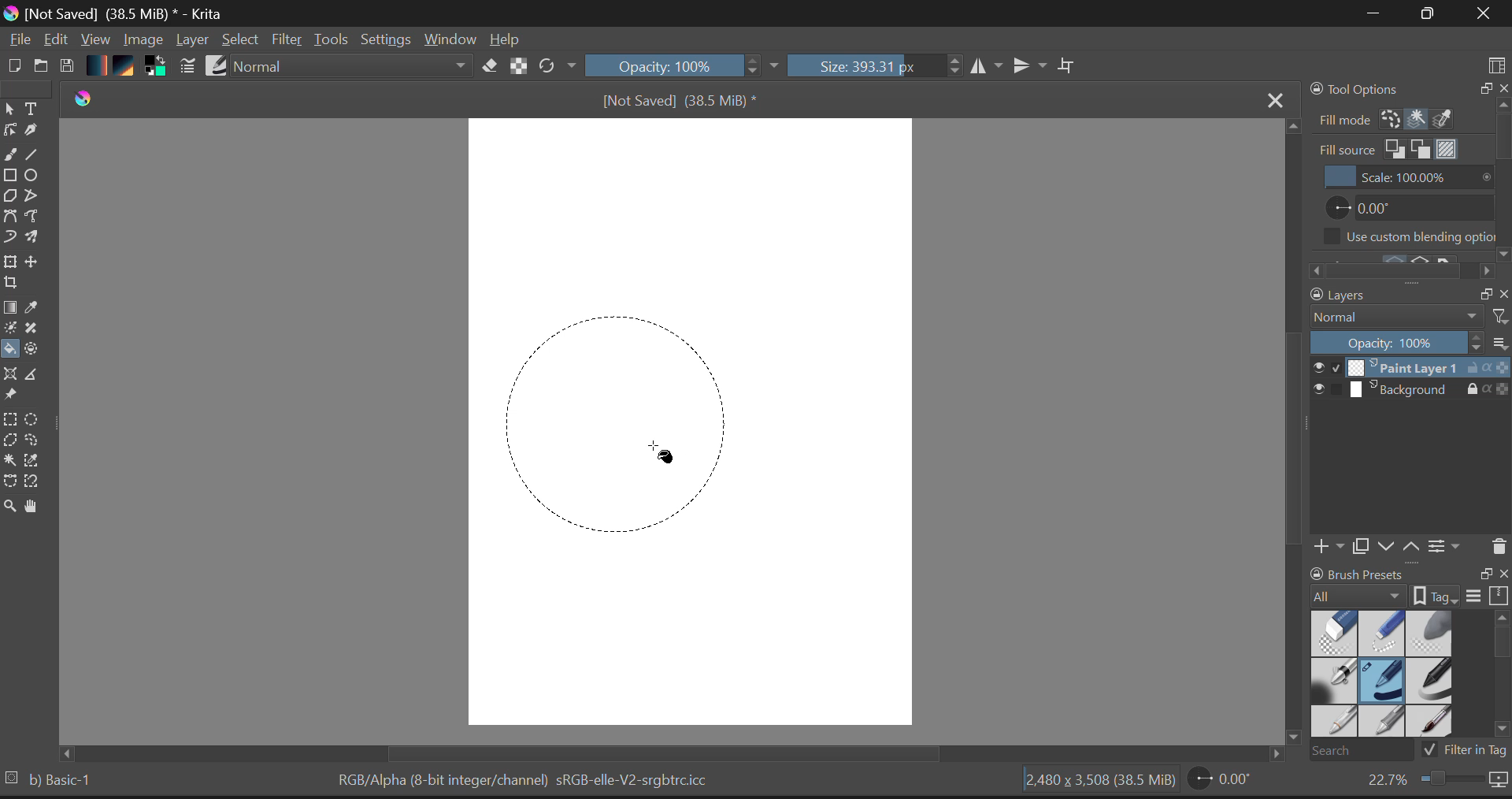  Describe the element at coordinates (9, 237) in the screenshot. I see `Dynamic Brush Tool` at that location.